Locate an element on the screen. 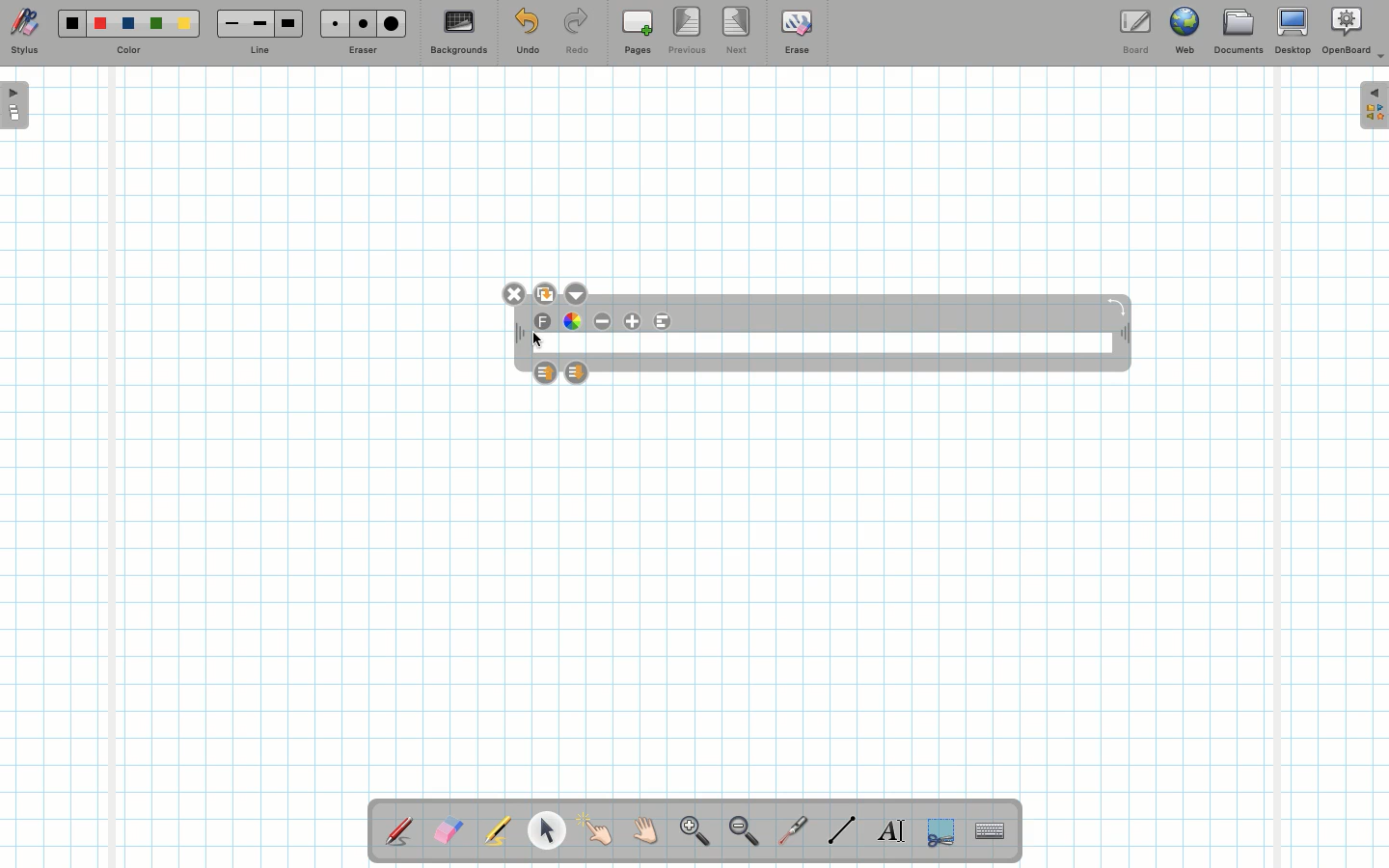 The image size is (1389, 868). Pointer is located at coordinates (596, 830).